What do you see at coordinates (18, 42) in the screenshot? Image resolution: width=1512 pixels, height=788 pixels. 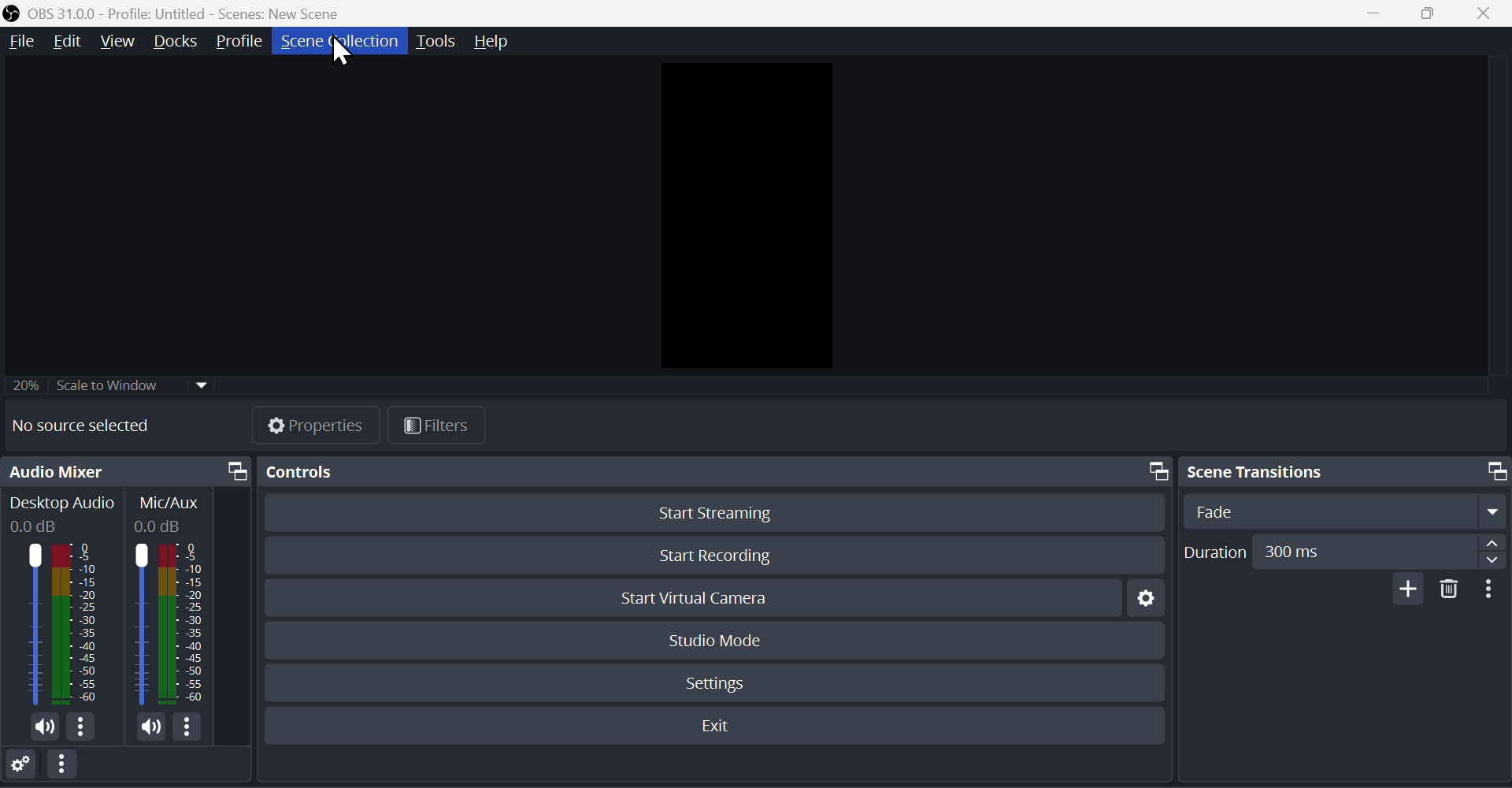 I see `` at bounding box center [18, 42].